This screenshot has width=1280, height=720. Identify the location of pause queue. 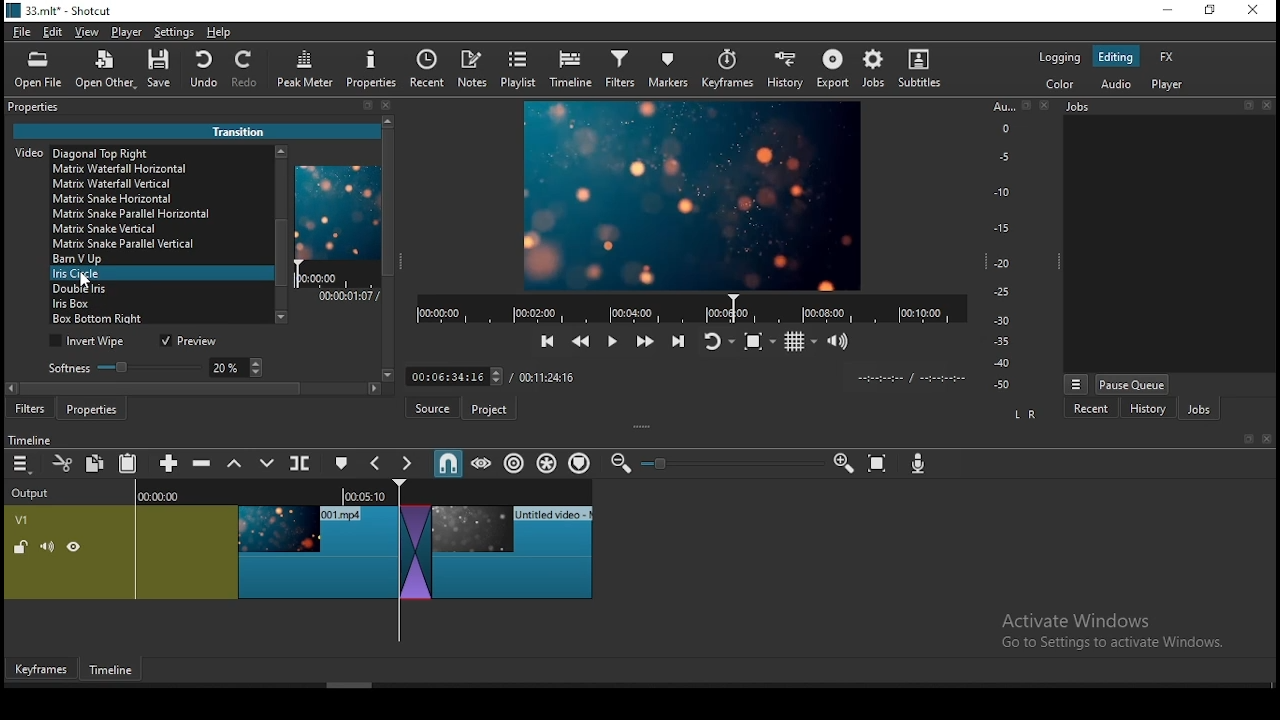
(1131, 384).